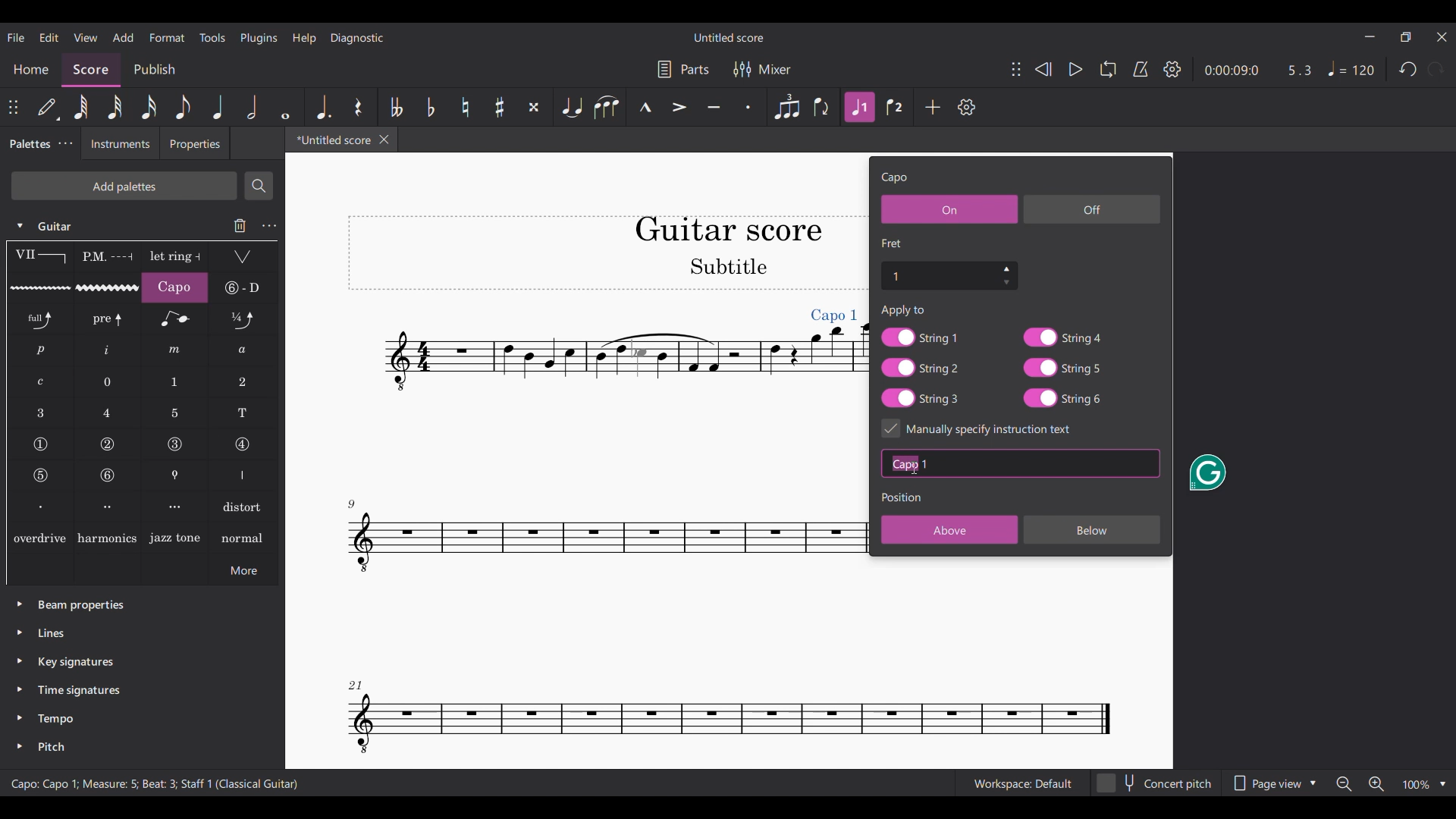  What do you see at coordinates (108, 287) in the screenshot?
I see `Guitar vibrato wide` at bounding box center [108, 287].